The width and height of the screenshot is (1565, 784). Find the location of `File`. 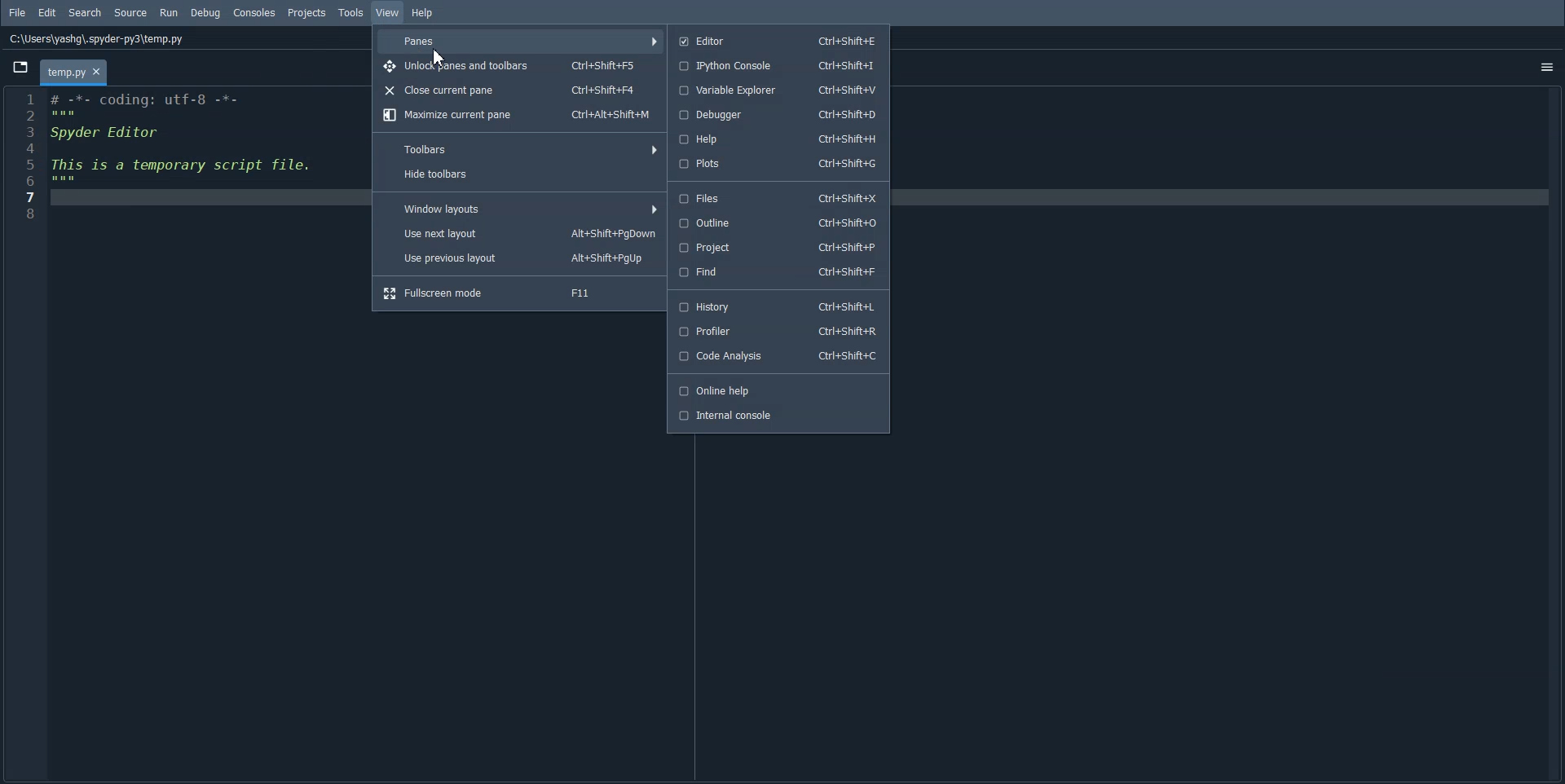

File is located at coordinates (18, 12).